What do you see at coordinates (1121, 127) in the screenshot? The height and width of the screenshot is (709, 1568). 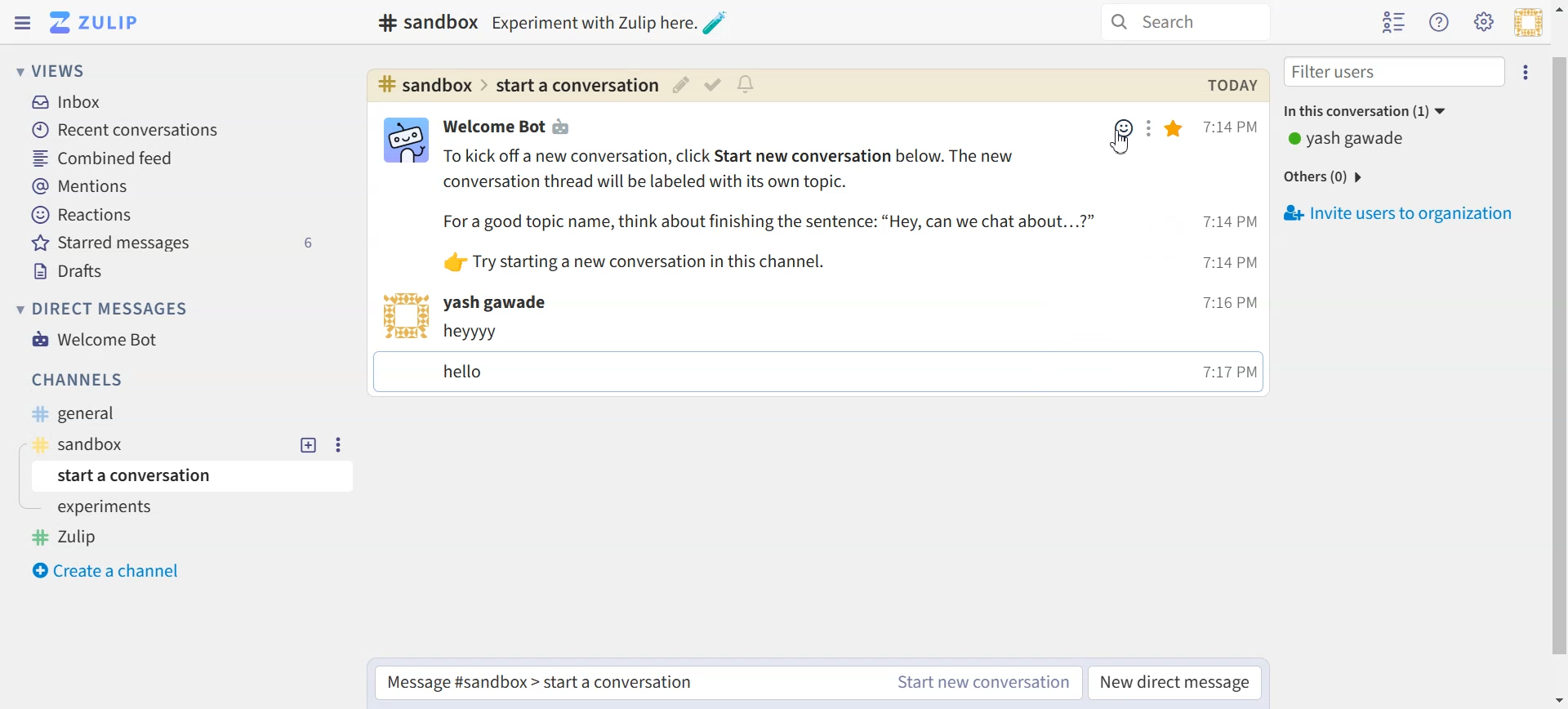 I see `Emoji` at bounding box center [1121, 127].